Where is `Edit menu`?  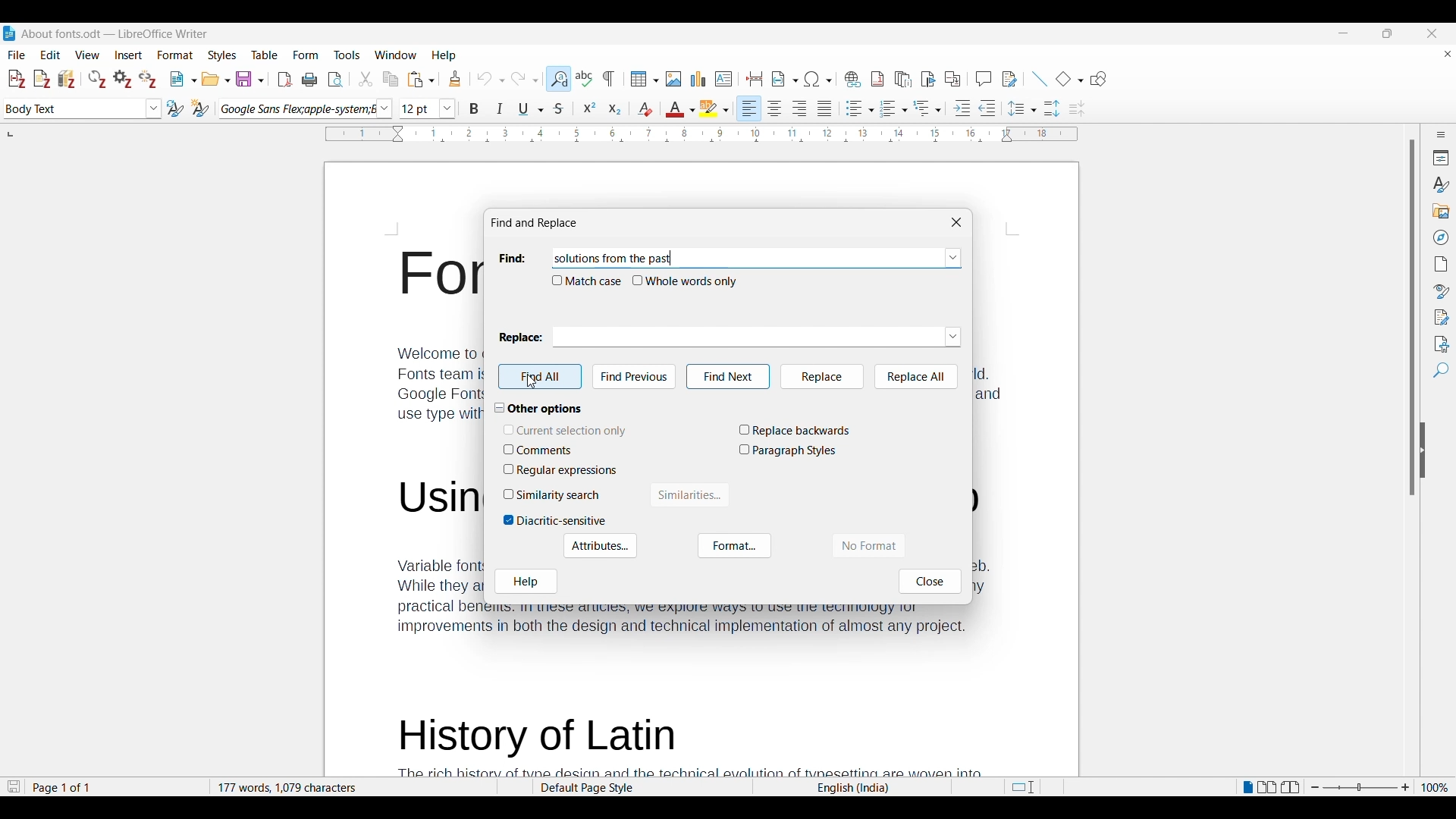 Edit menu is located at coordinates (51, 55).